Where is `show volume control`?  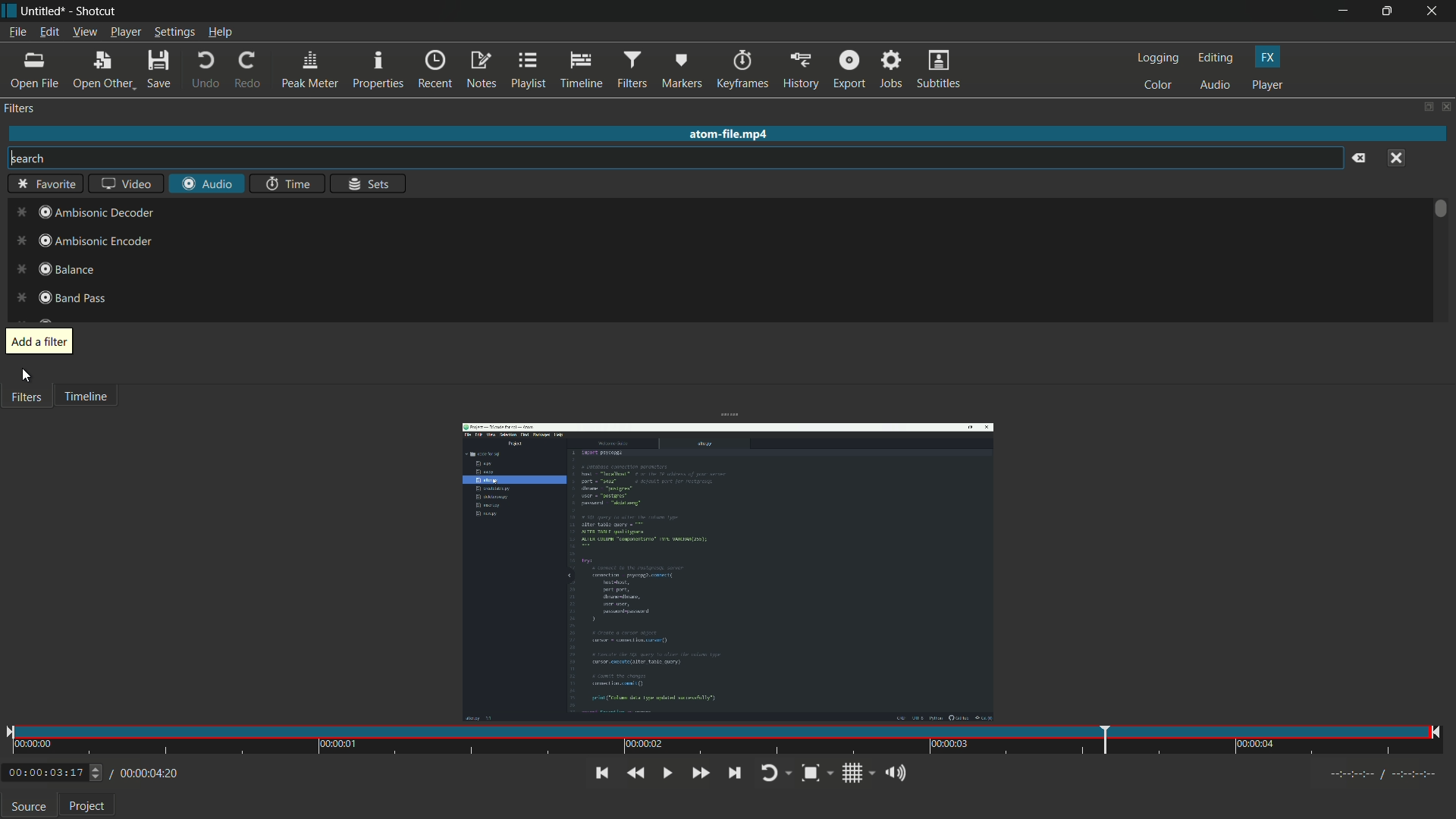 show volume control is located at coordinates (899, 772).